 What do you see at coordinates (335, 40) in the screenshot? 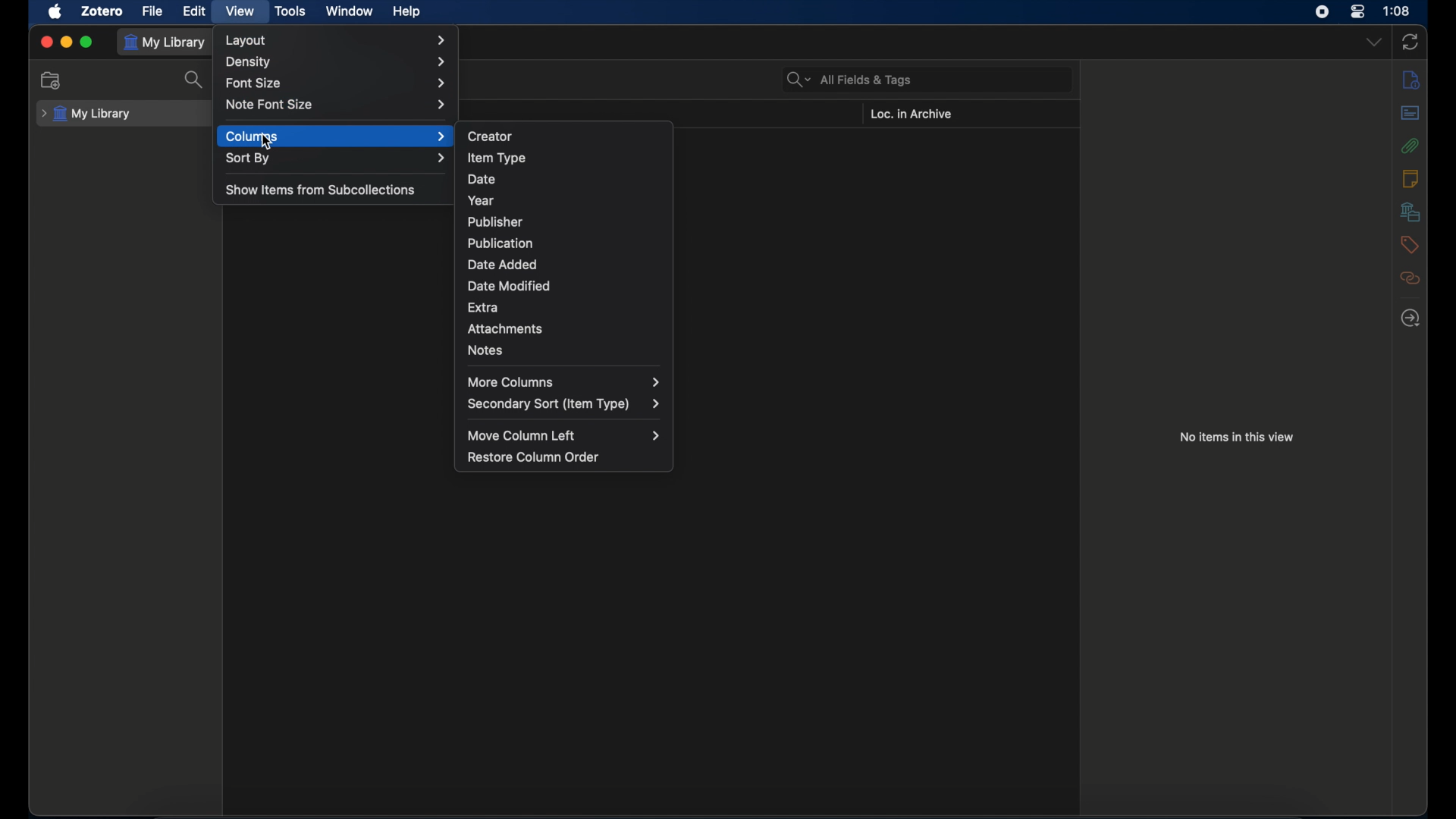
I see `layout` at bounding box center [335, 40].